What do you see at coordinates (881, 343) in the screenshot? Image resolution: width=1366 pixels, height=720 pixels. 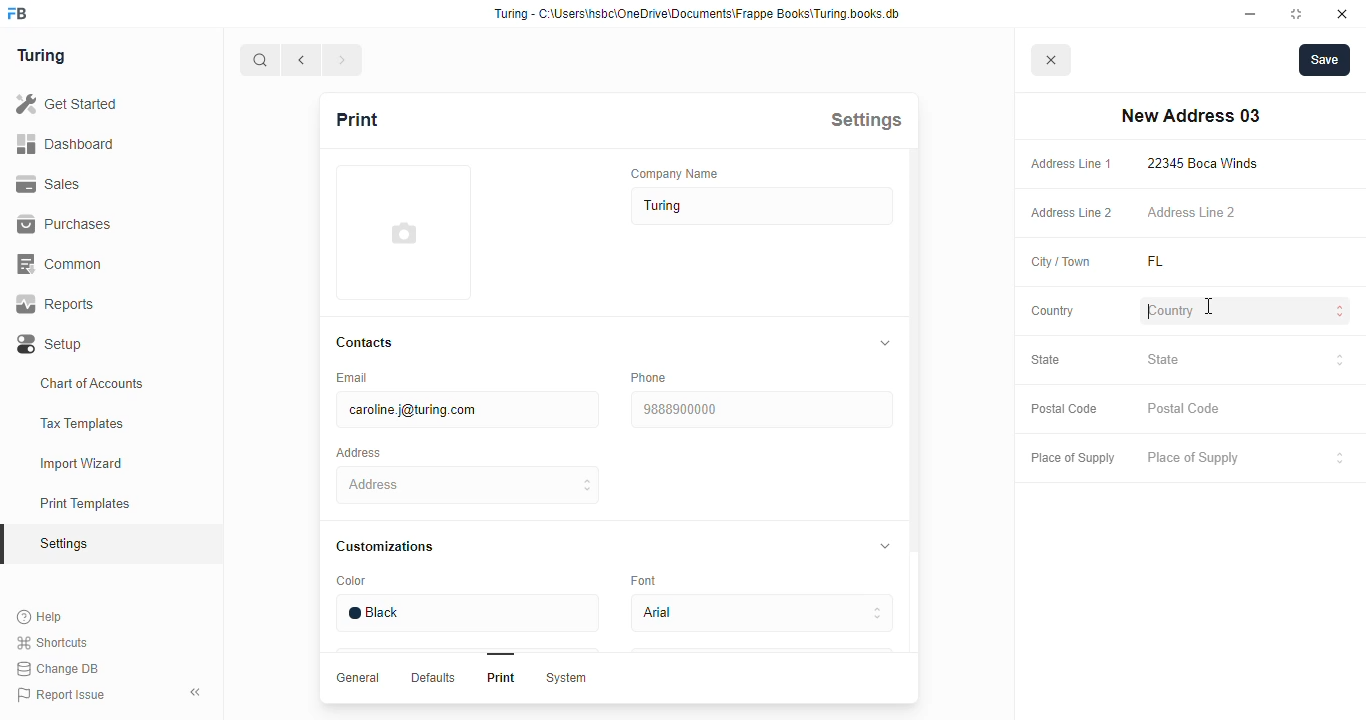 I see `toggle expand/collapse` at bounding box center [881, 343].